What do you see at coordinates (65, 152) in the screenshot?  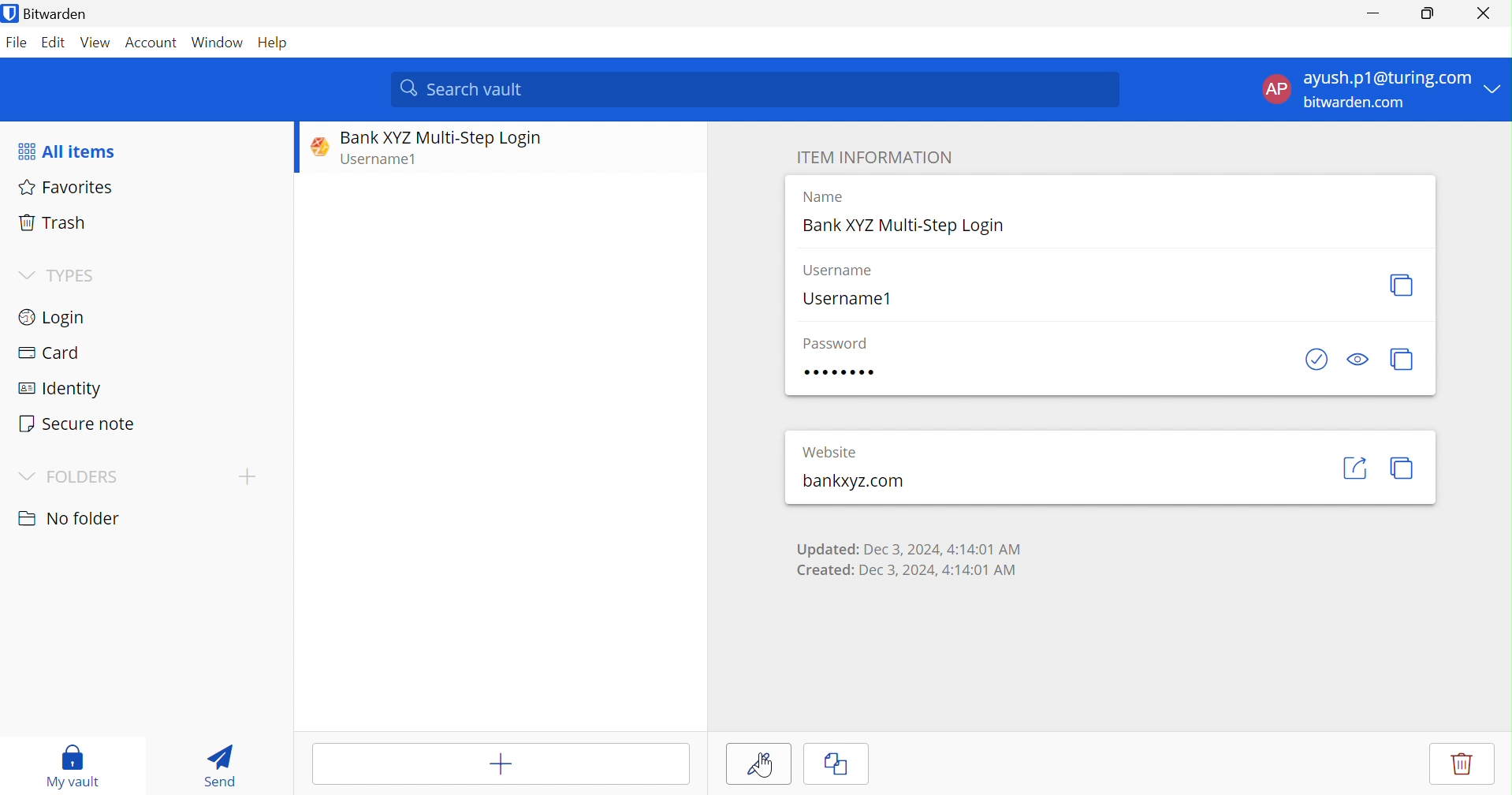 I see `All items` at bounding box center [65, 152].